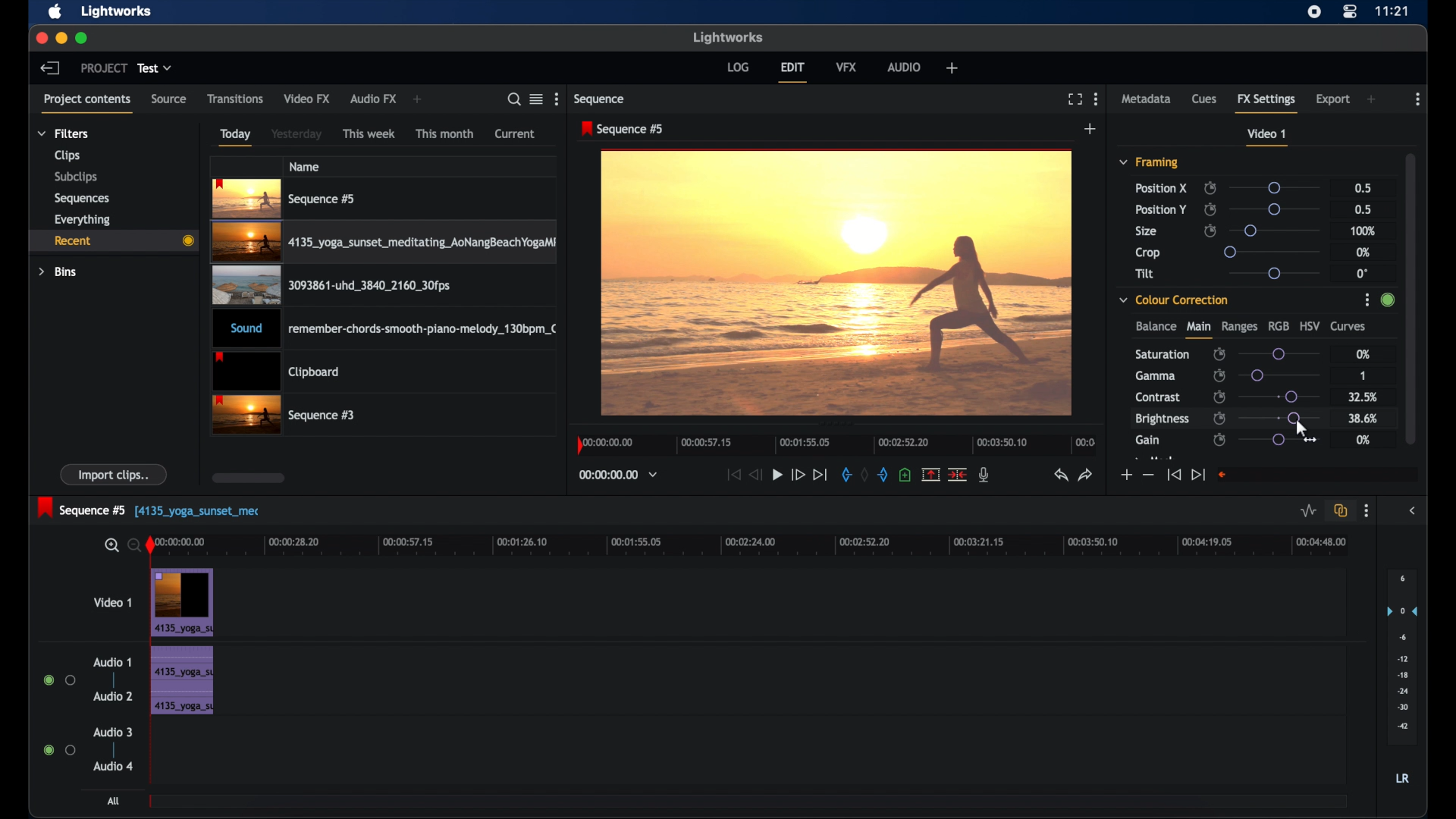  What do you see at coordinates (297, 134) in the screenshot?
I see `yesterday` at bounding box center [297, 134].